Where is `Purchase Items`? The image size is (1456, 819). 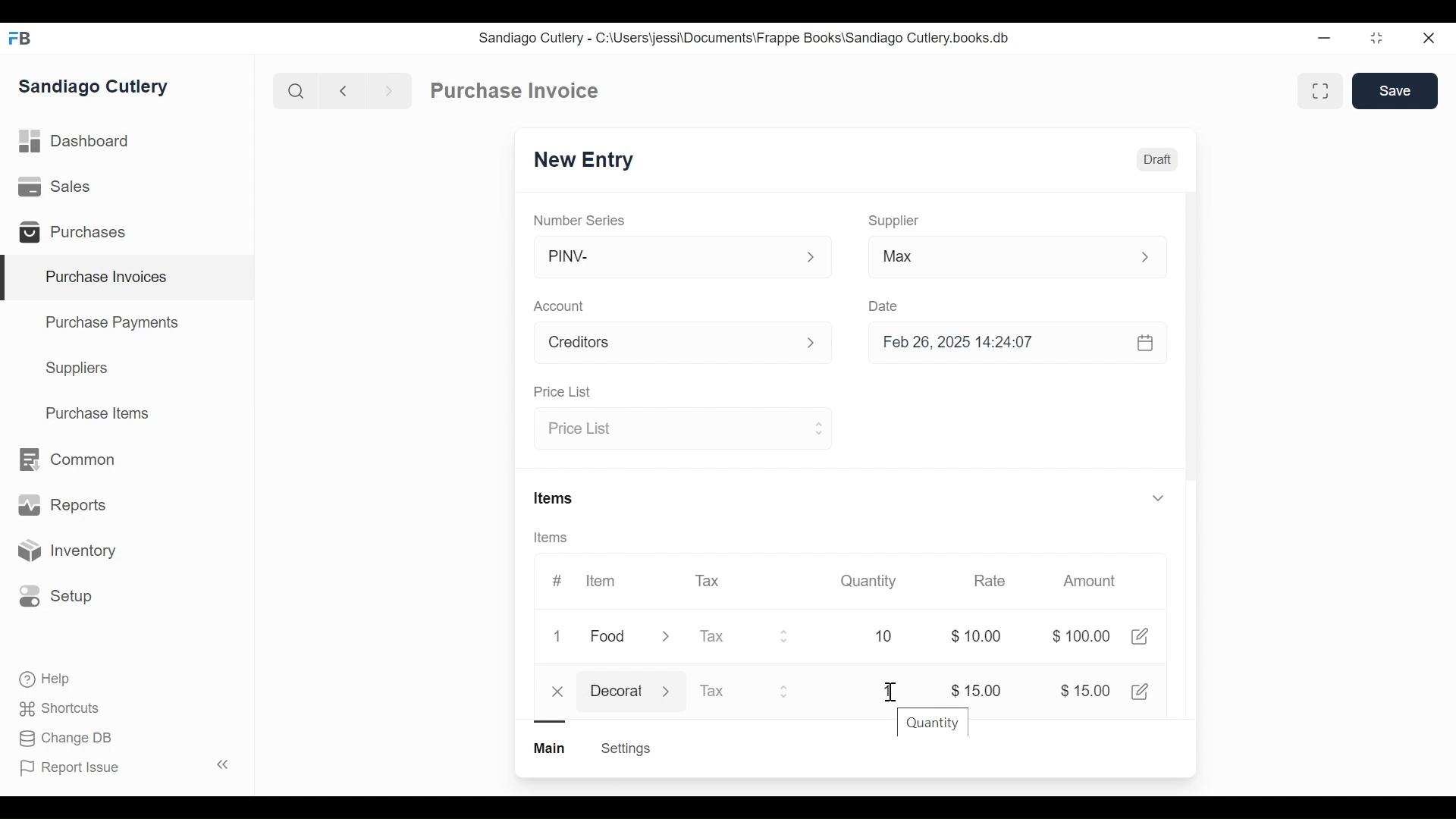 Purchase Items is located at coordinates (98, 415).